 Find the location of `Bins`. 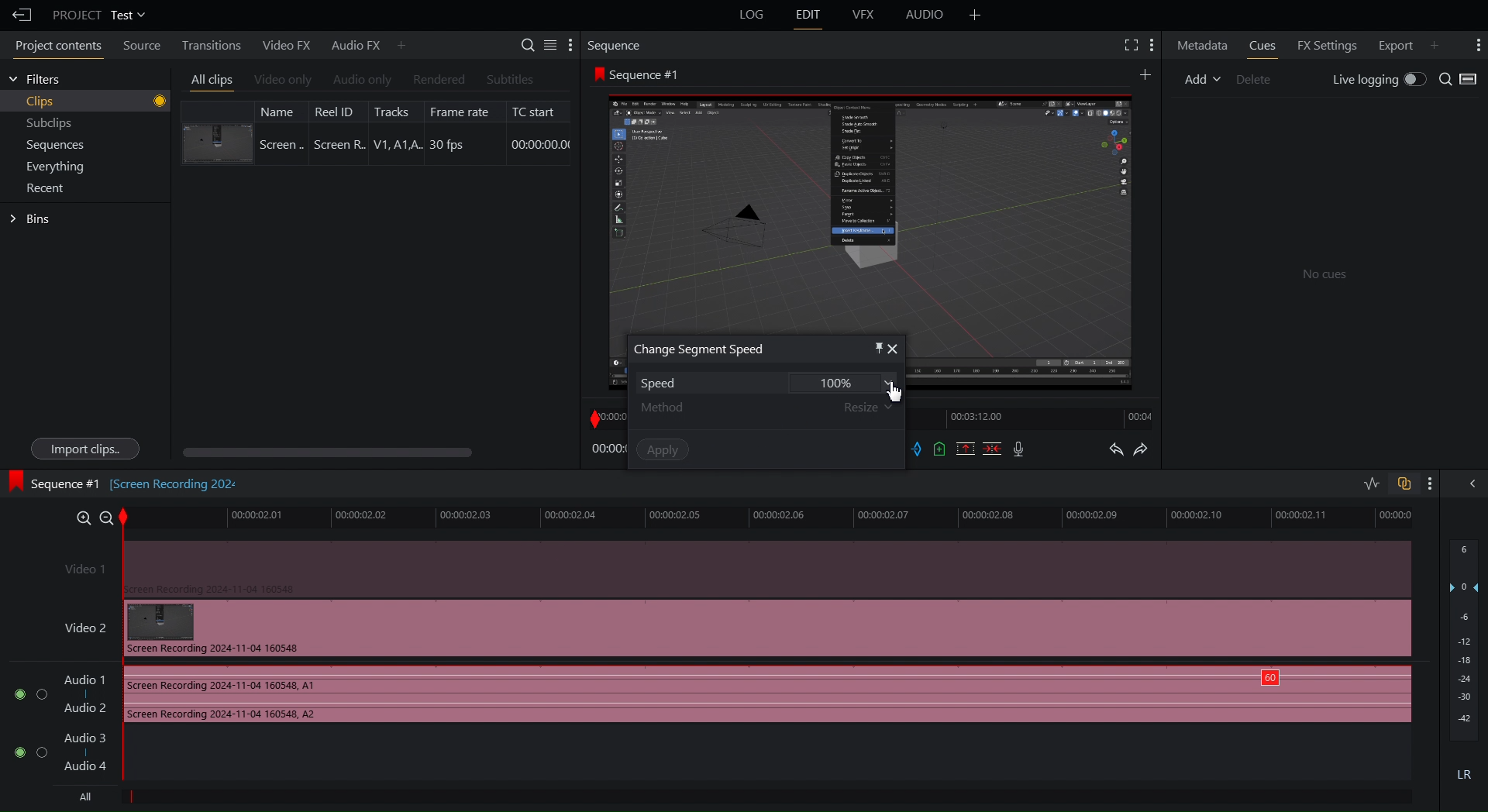

Bins is located at coordinates (33, 219).